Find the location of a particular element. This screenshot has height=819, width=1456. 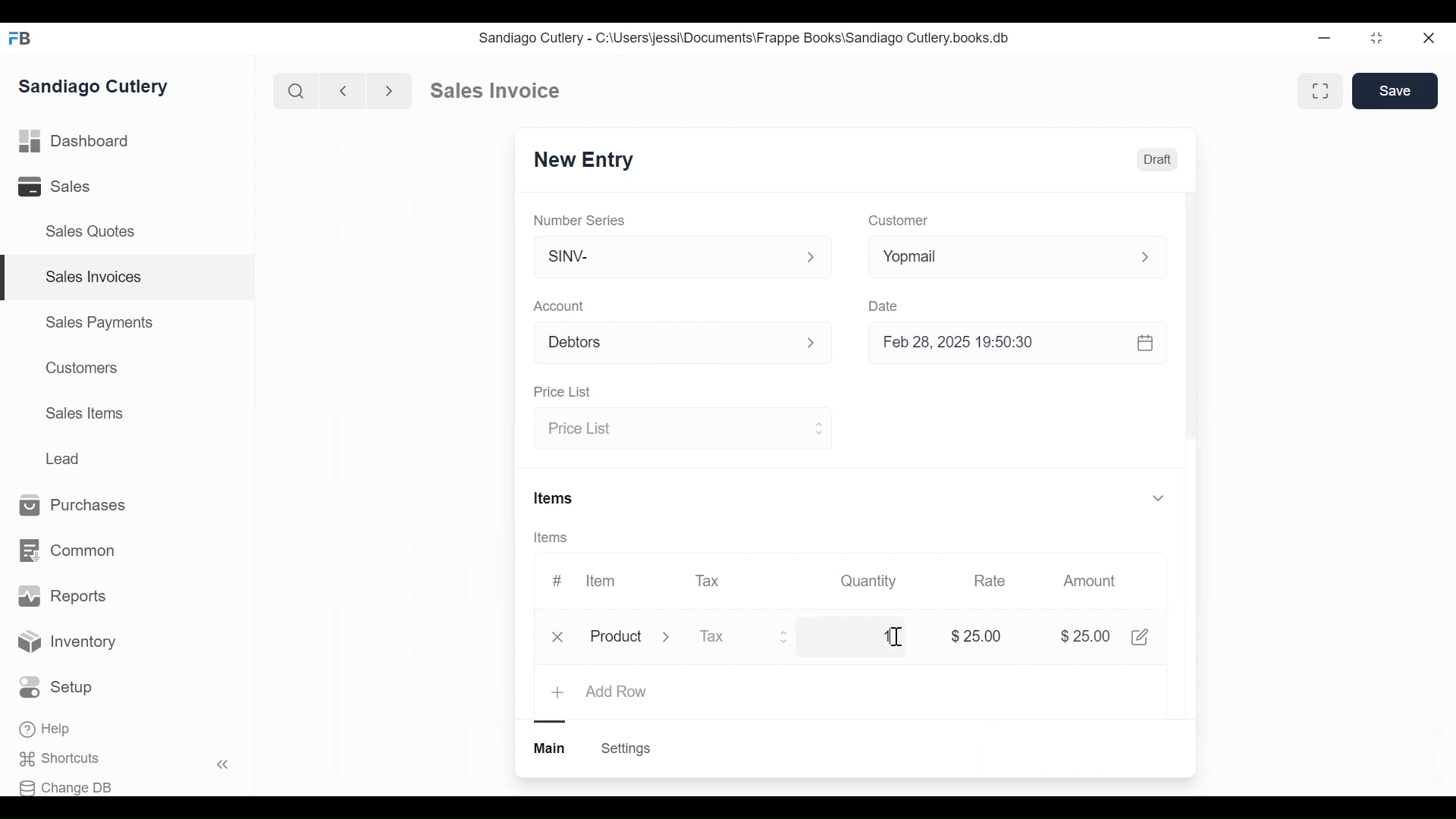

Sales is located at coordinates (57, 186).